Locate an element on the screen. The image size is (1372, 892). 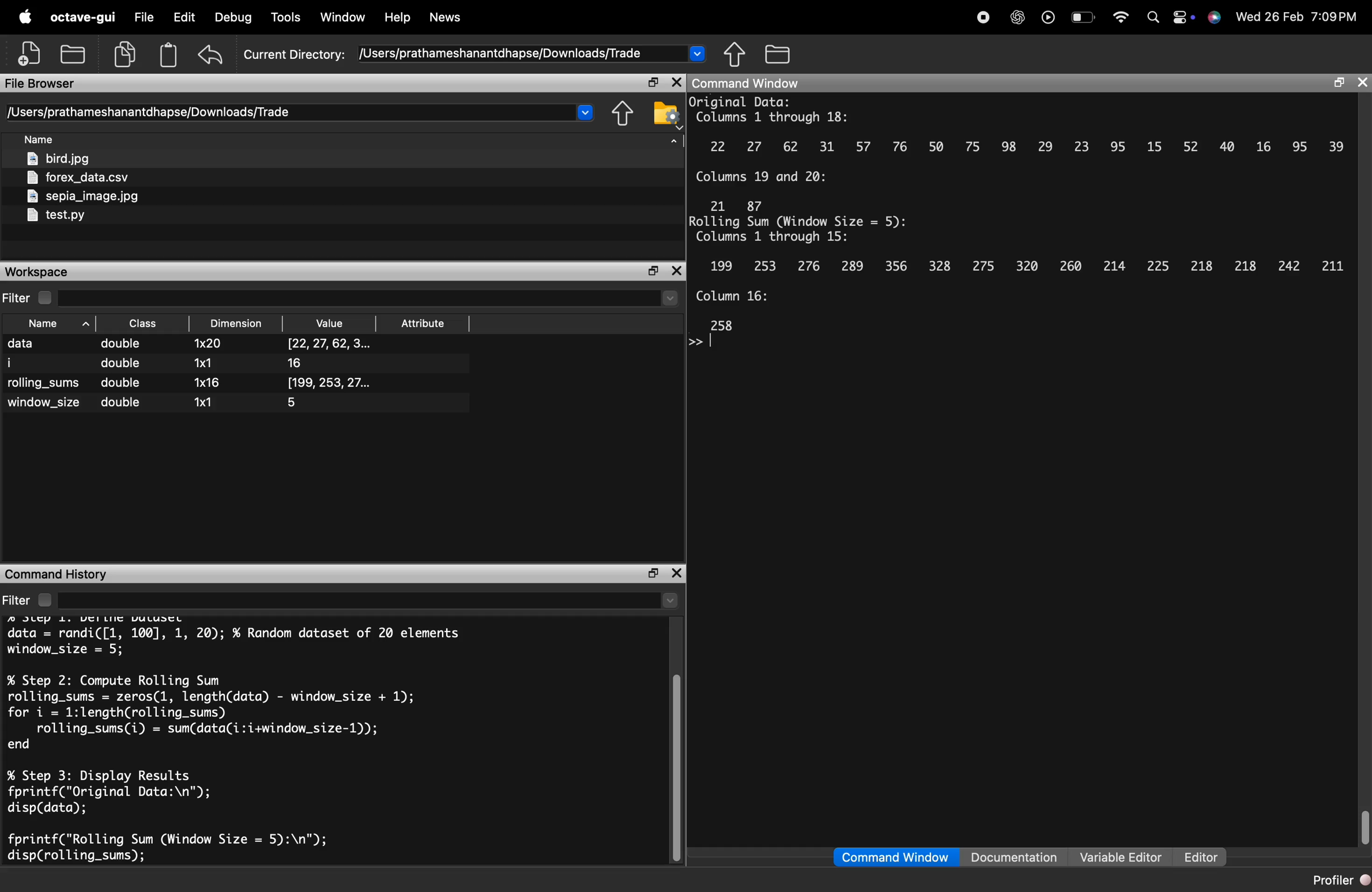
action center is located at coordinates (1186, 19).